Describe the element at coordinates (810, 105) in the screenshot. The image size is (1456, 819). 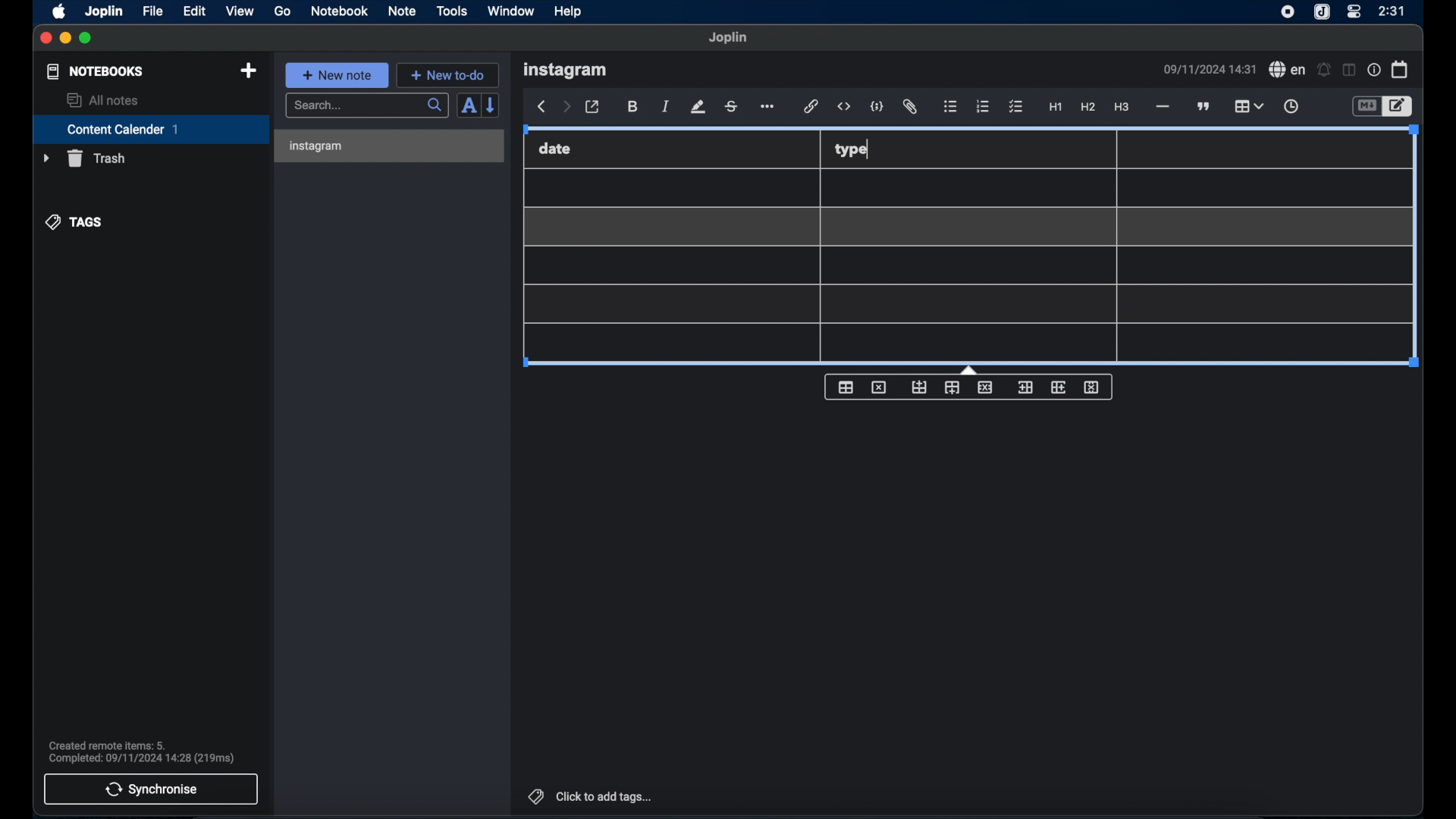
I see `hyperlink` at that location.